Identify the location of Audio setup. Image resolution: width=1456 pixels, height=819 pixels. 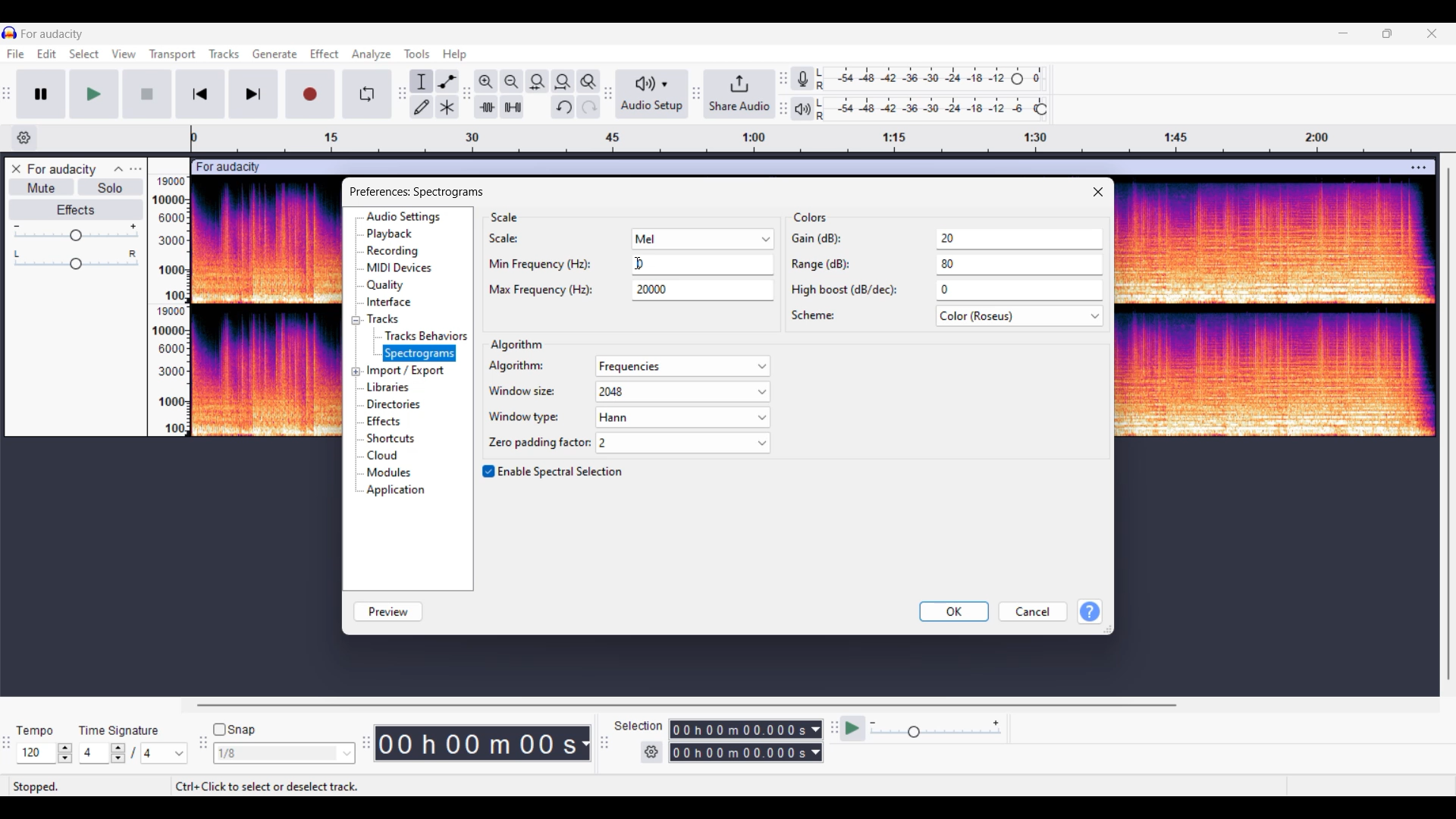
(652, 93).